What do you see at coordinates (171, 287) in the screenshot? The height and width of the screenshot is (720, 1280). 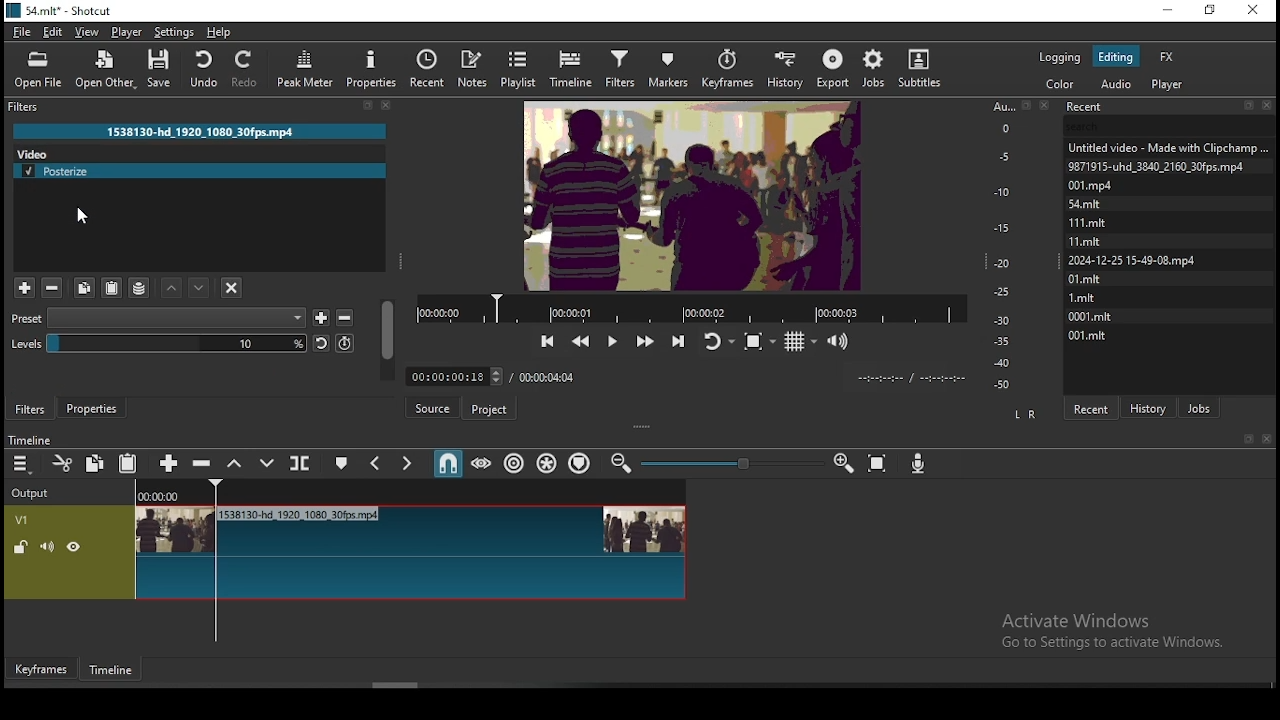 I see `move filter ` at bounding box center [171, 287].